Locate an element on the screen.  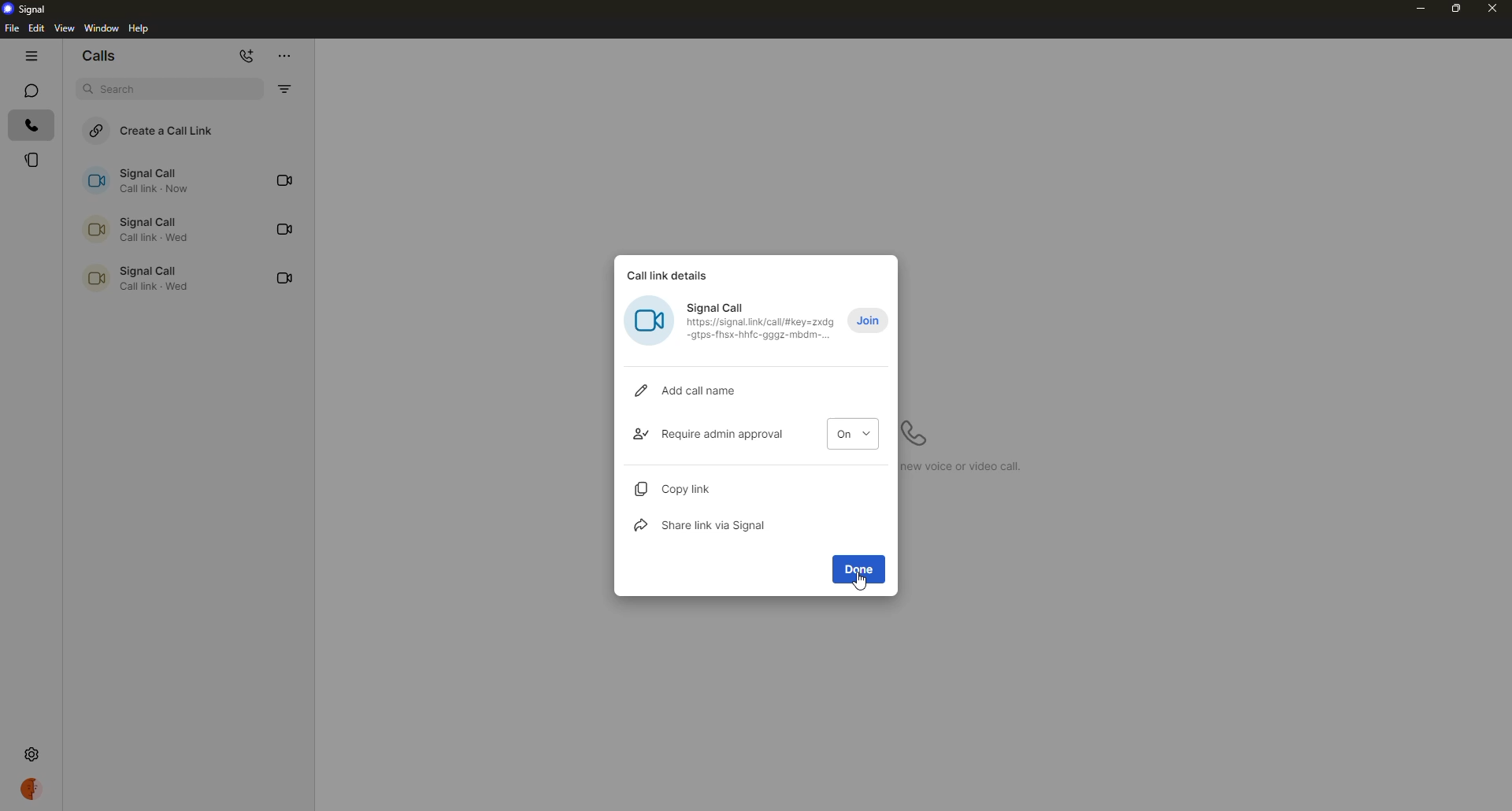
signal call is located at coordinates (139, 181).